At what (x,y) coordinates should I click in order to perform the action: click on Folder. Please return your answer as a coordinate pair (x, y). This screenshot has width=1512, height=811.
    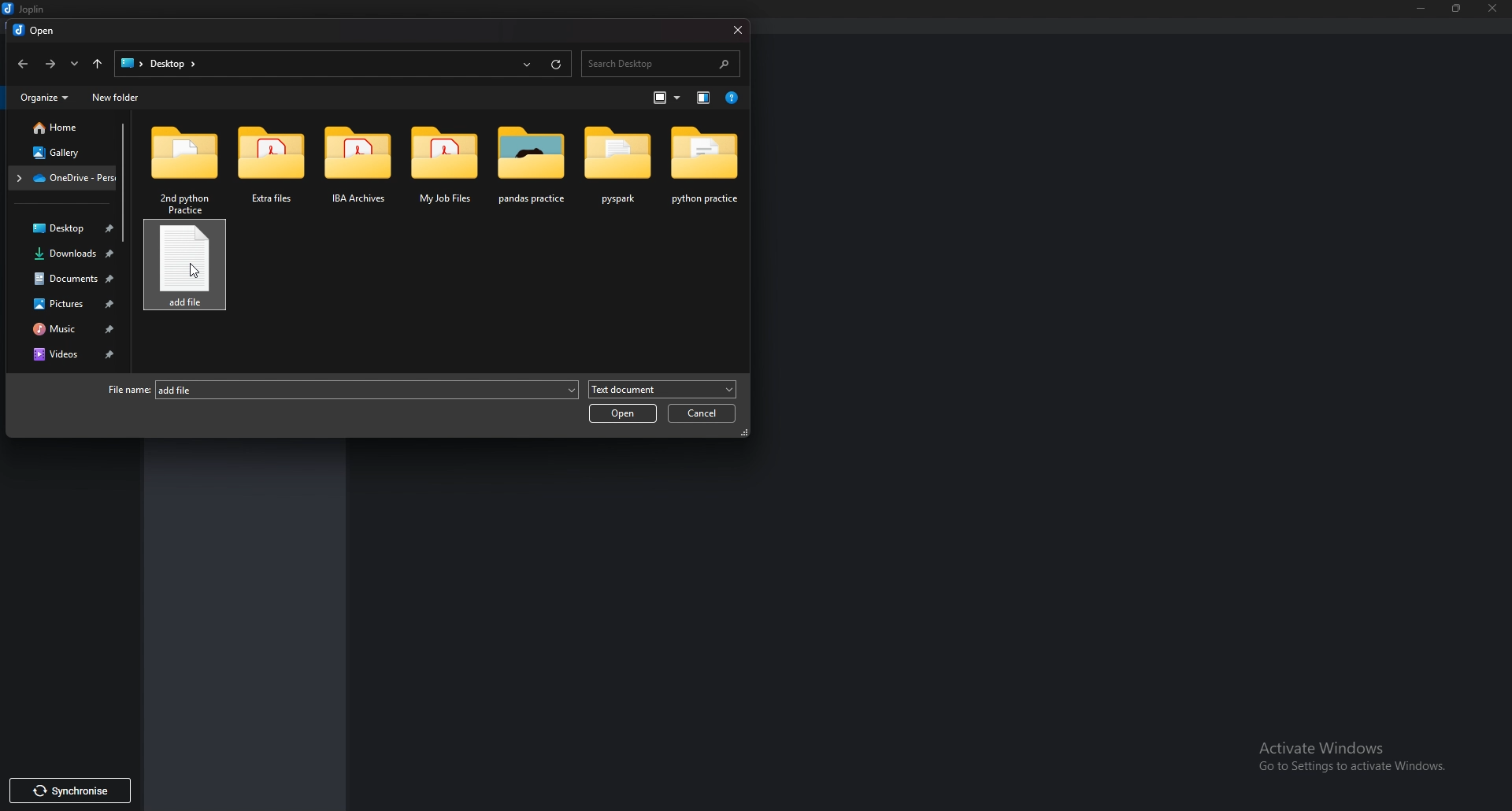
    Looking at the image, I should click on (702, 168).